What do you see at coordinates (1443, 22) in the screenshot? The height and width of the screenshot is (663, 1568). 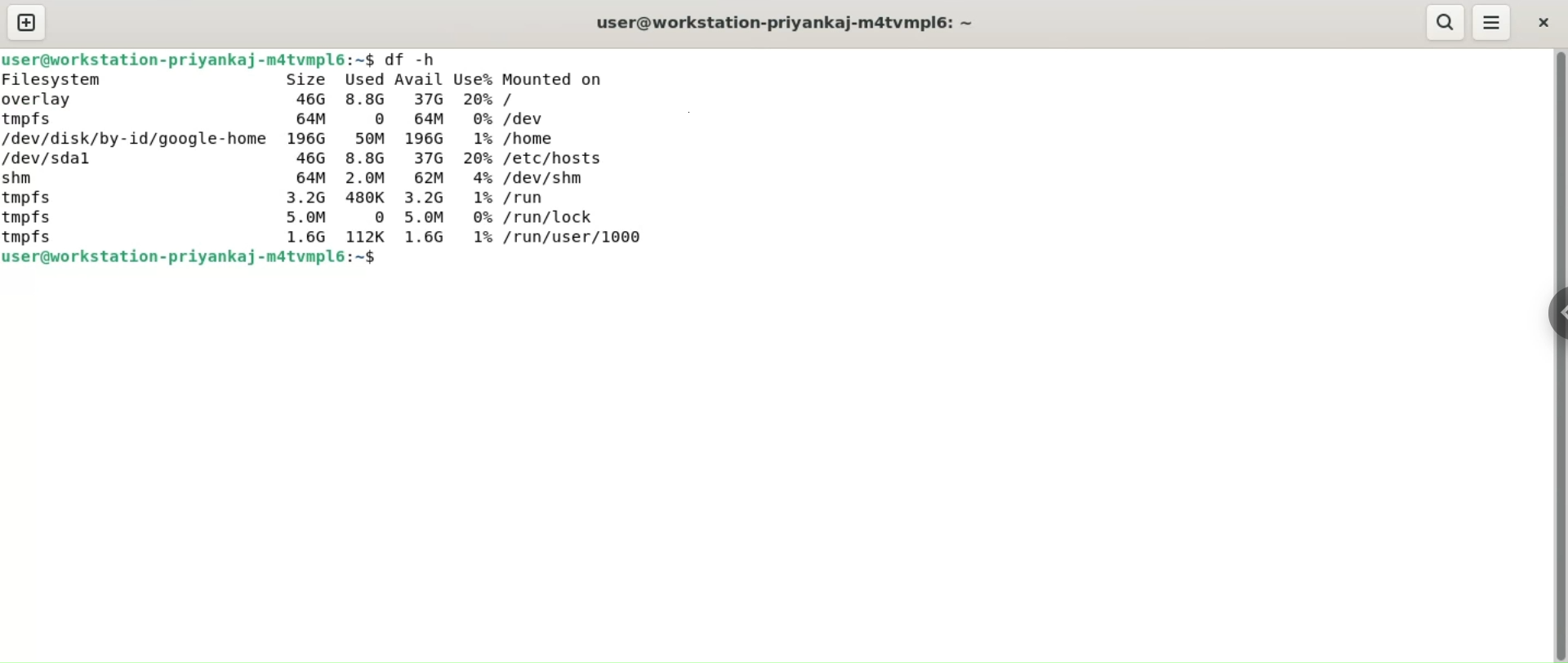 I see `search` at bounding box center [1443, 22].